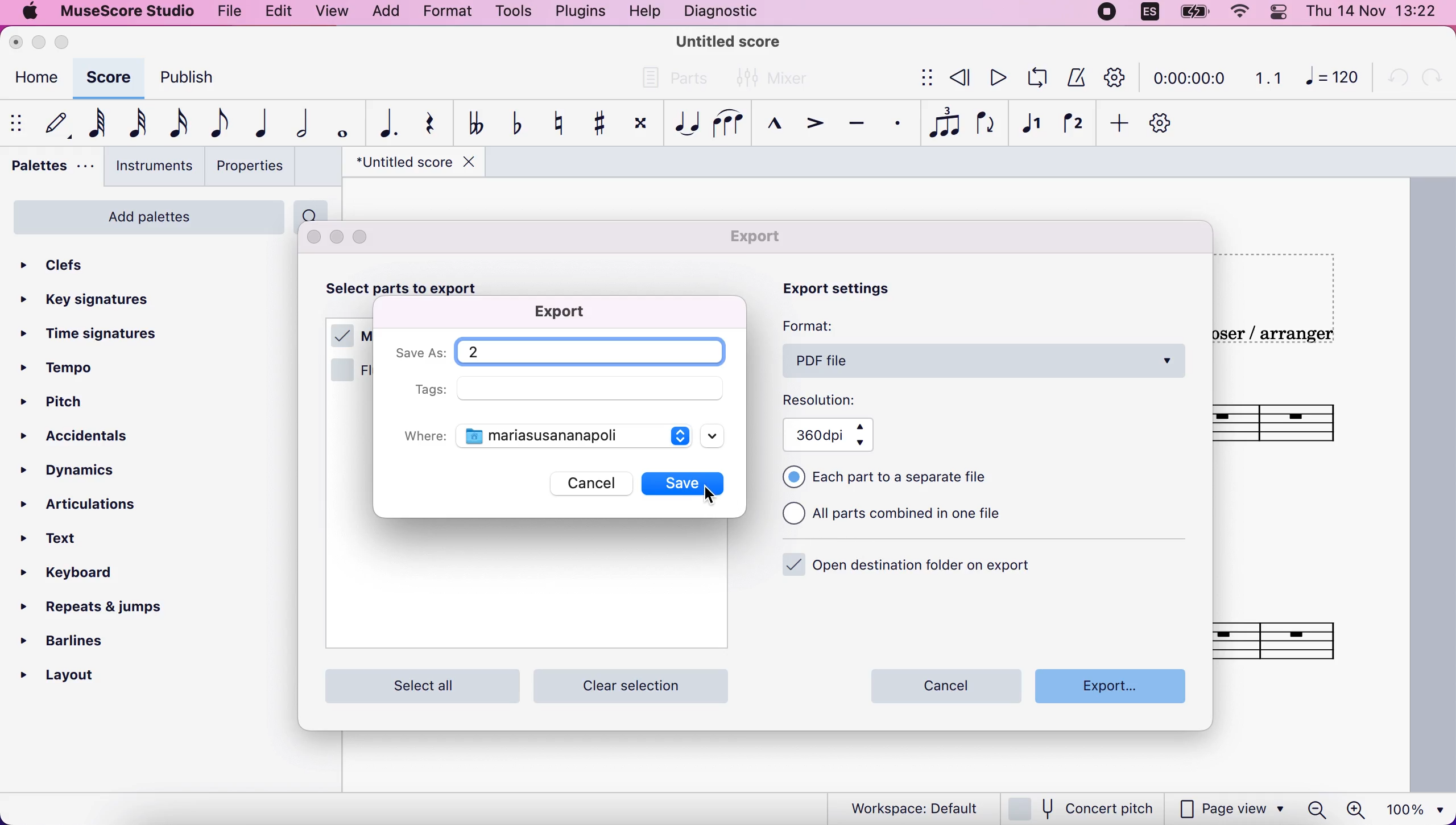 The width and height of the screenshot is (1456, 825). Describe the element at coordinates (1103, 14) in the screenshot. I see `recording stopped` at that location.